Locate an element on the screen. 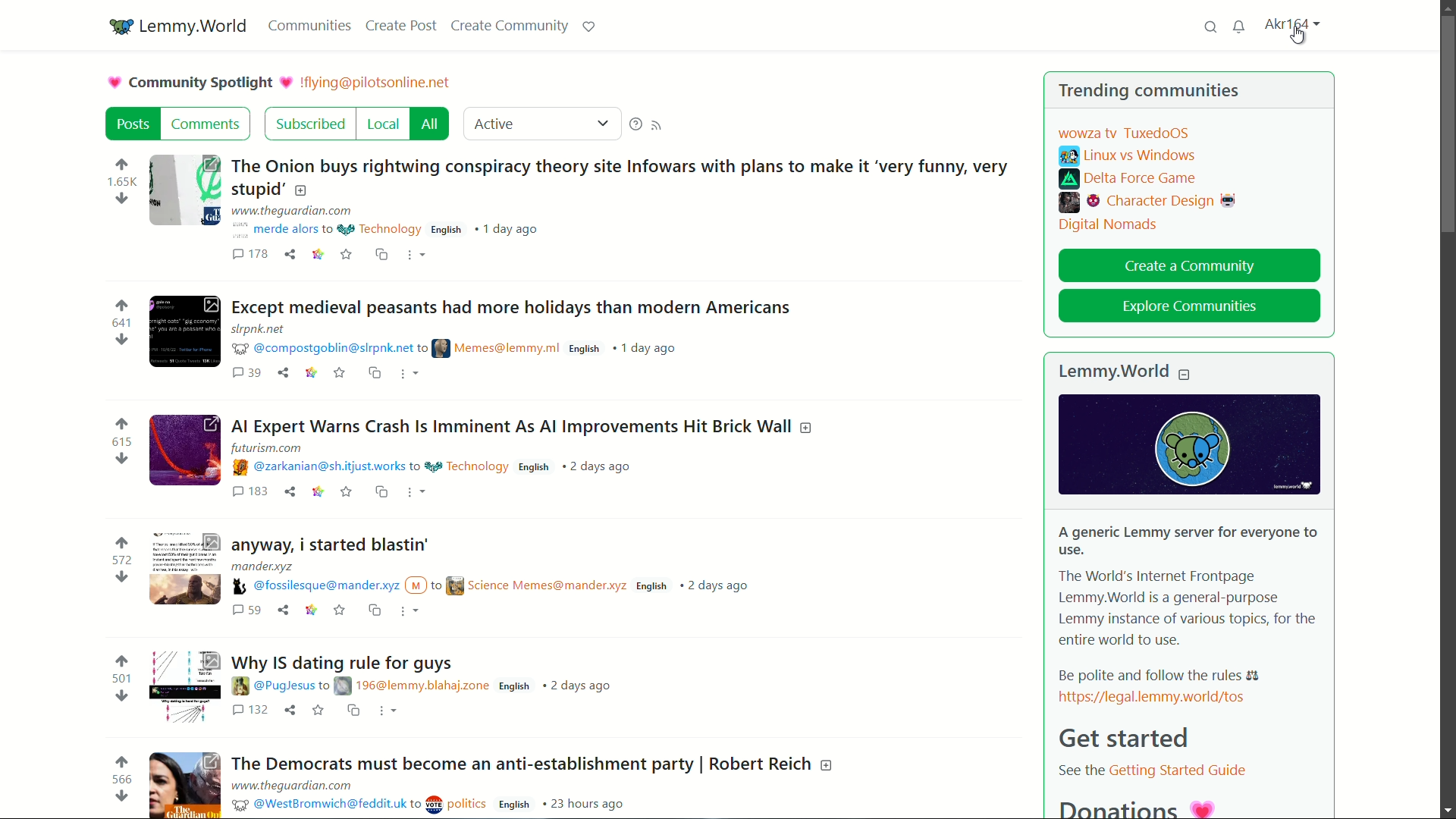  more is located at coordinates (410, 610).